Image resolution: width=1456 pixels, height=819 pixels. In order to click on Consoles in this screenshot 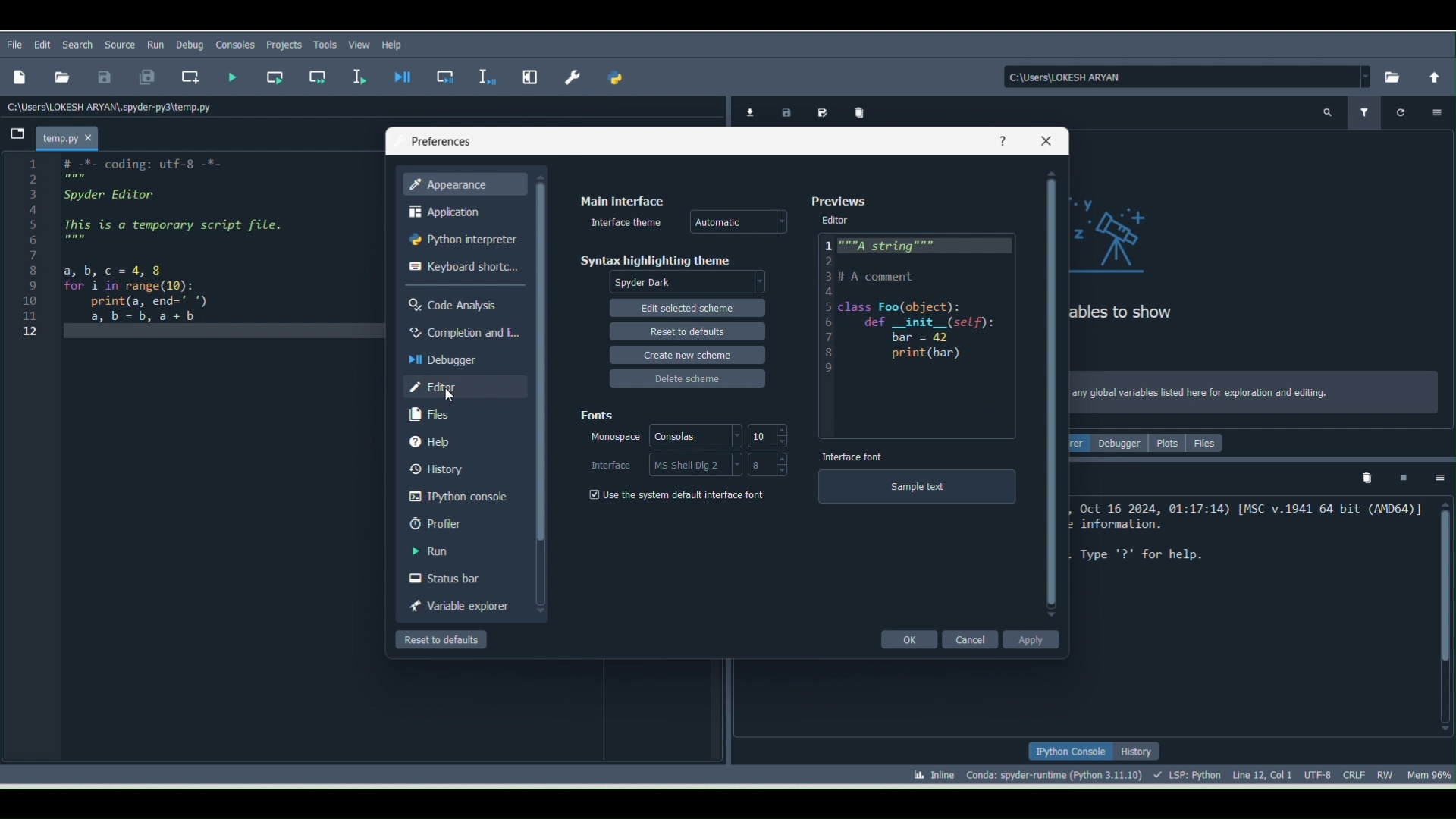, I will do `click(693, 435)`.